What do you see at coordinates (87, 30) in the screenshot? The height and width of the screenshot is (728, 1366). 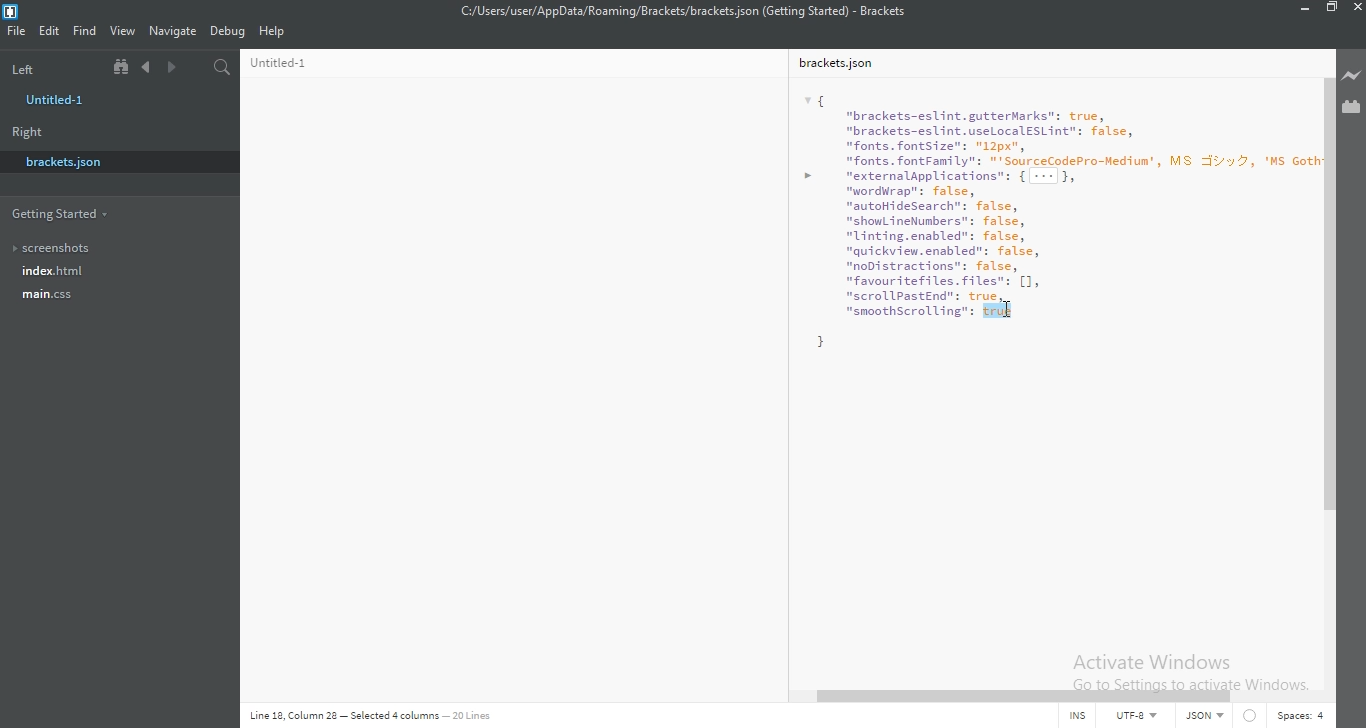 I see `Find` at bounding box center [87, 30].